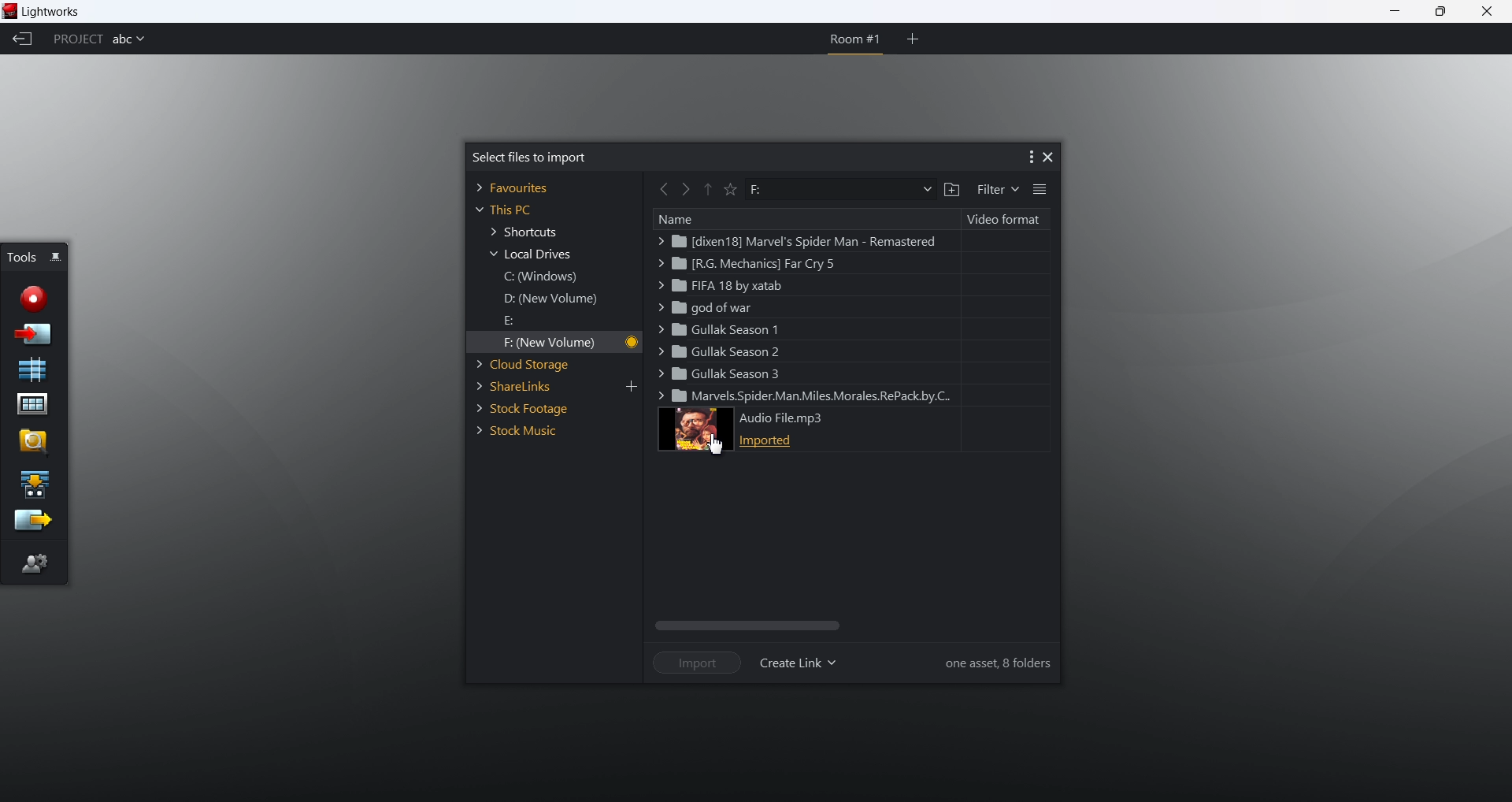 This screenshot has width=1512, height=802. What do you see at coordinates (31, 522) in the screenshot?
I see `export sequence` at bounding box center [31, 522].